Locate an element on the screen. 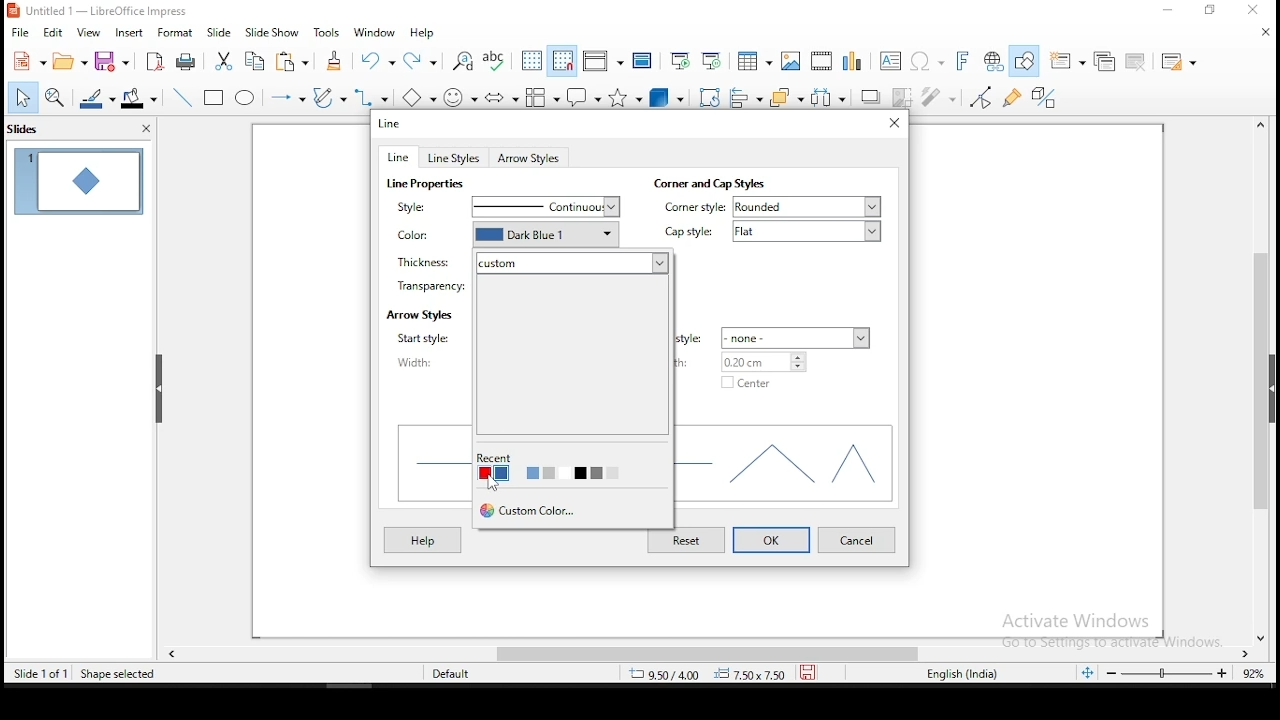 The width and height of the screenshot is (1280, 720). default is located at coordinates (460, 672).